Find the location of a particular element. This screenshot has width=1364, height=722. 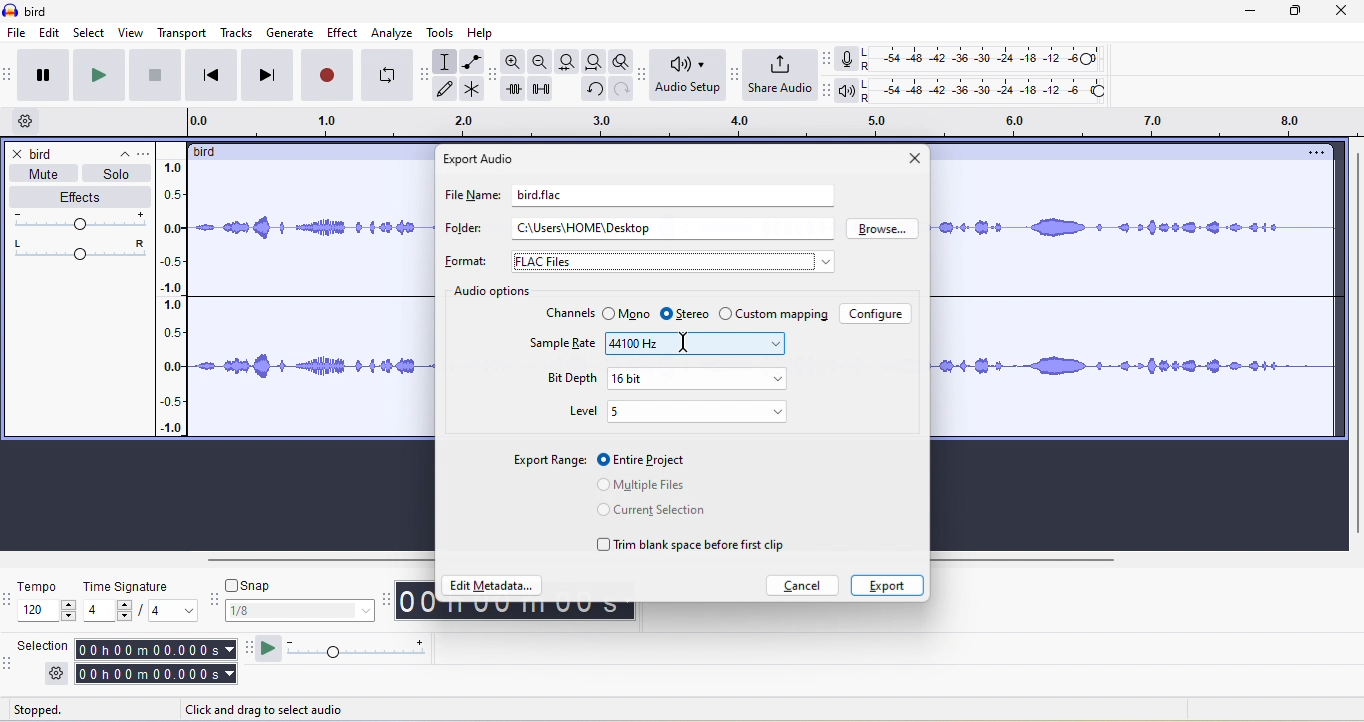

filename is located at coordinates (538, 193).